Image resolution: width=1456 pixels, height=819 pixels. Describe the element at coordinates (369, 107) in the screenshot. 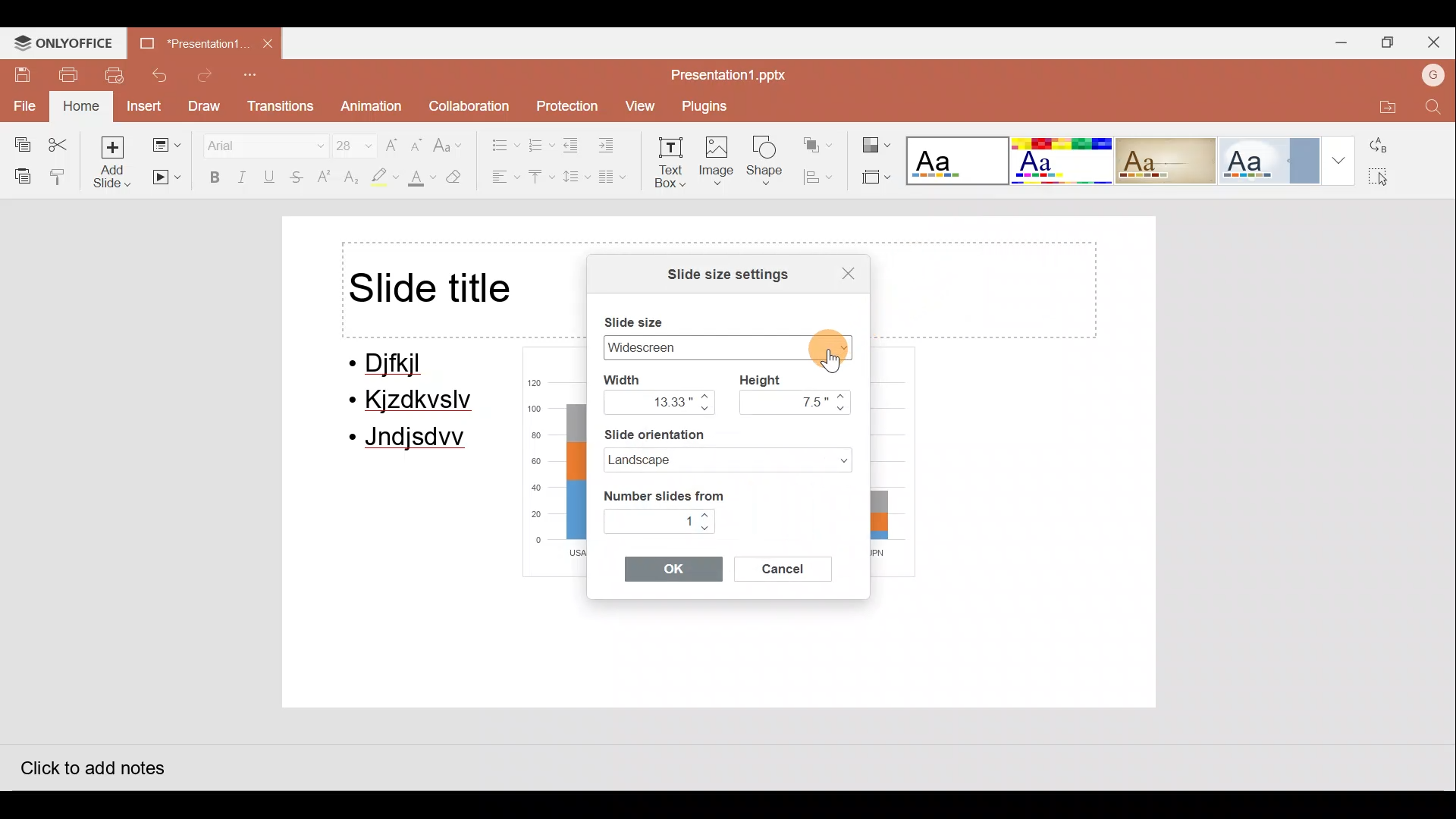

I see `Animation` at that location.